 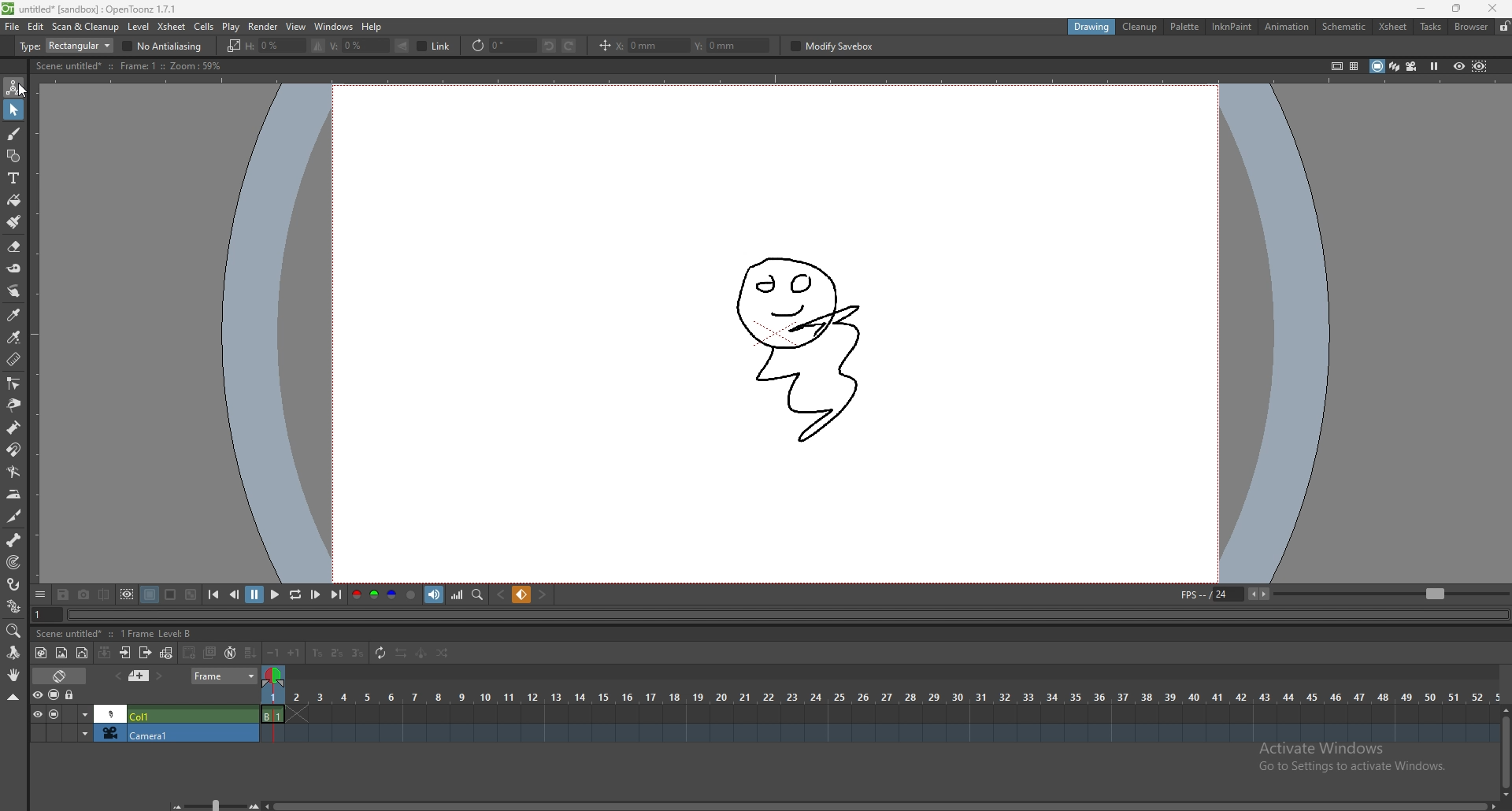 What do you see at coordinates (273, 595) in the screenshot?
I see `play` at bounding box center [273, 595].